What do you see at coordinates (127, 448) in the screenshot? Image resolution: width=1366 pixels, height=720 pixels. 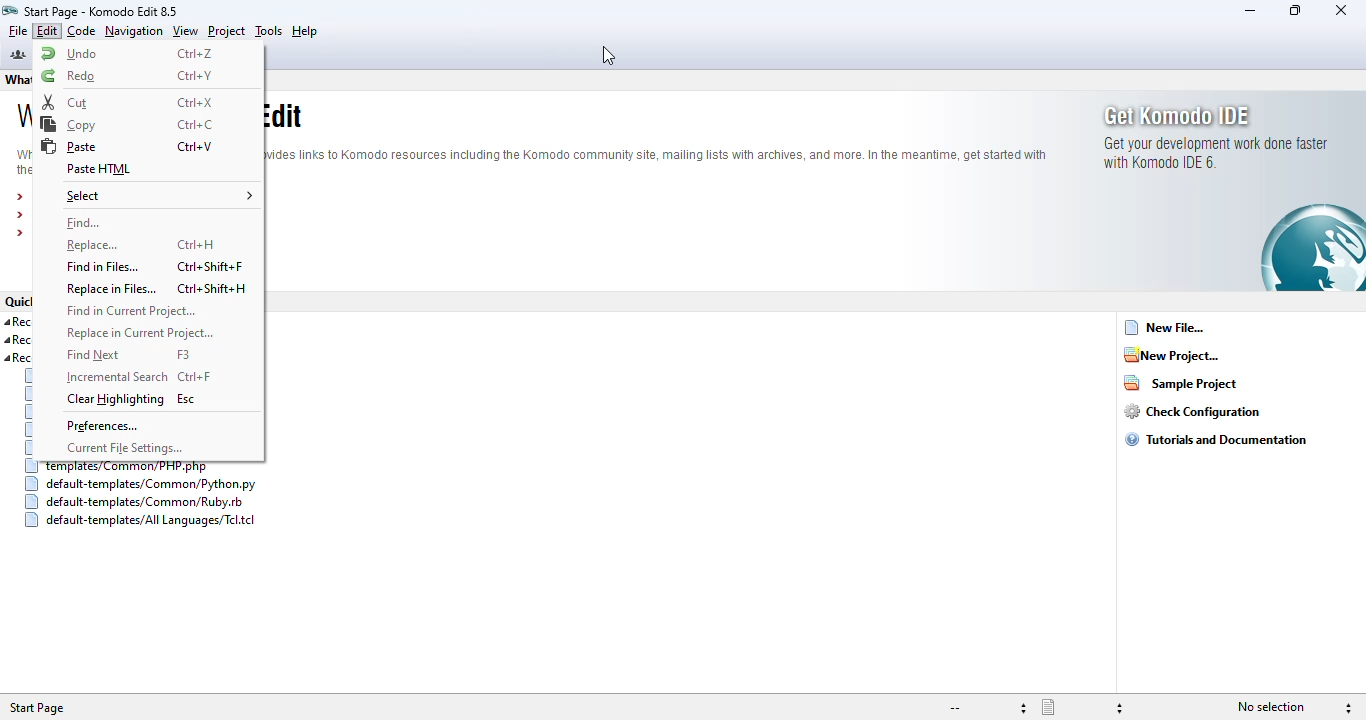 I see `current file settings` at bounding box center [127, 448].